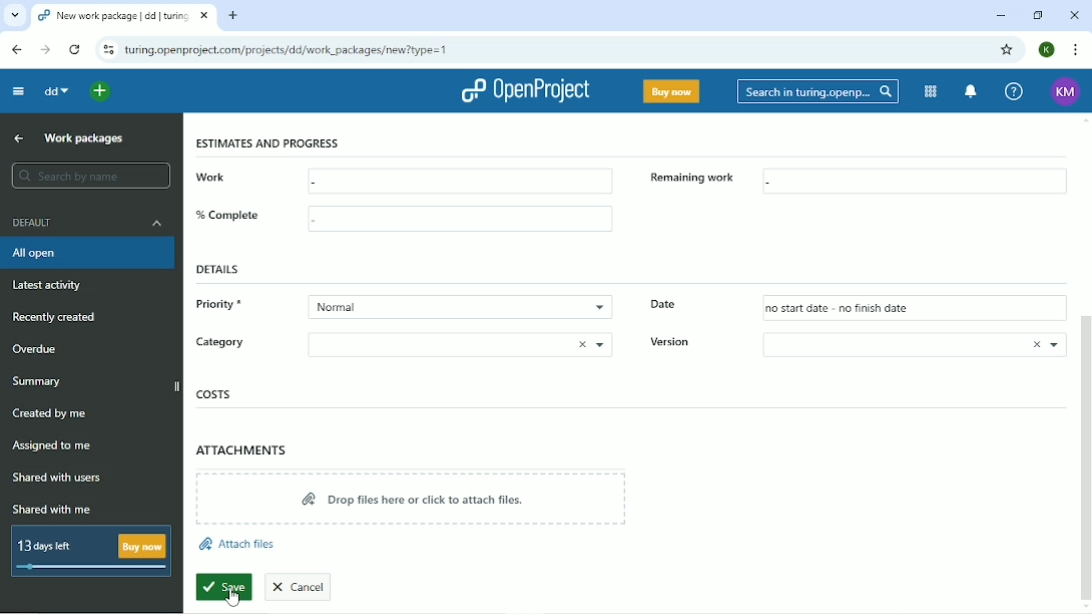 The width and height of the screenshot is (1092, 614). I want to click on Overdue, so click(34, 349).